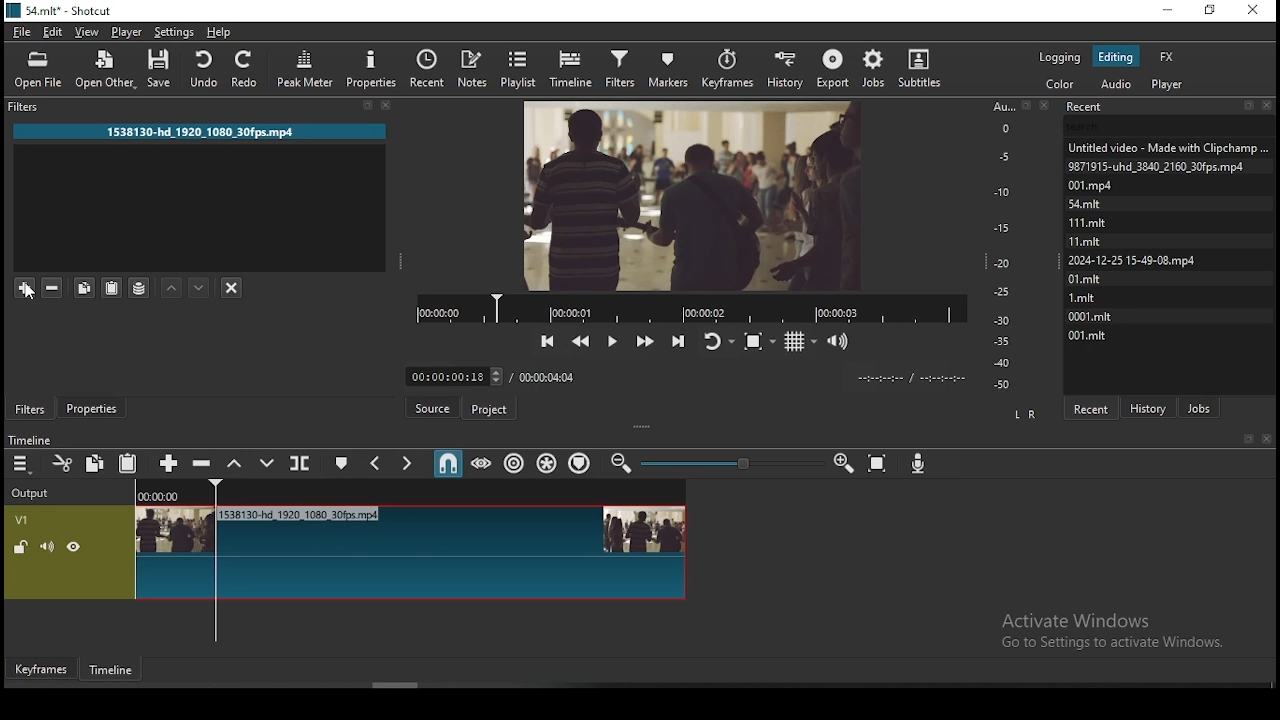 The height and width of the screenshot is (720, 1280). I want to click on markers, so click(669, 69).